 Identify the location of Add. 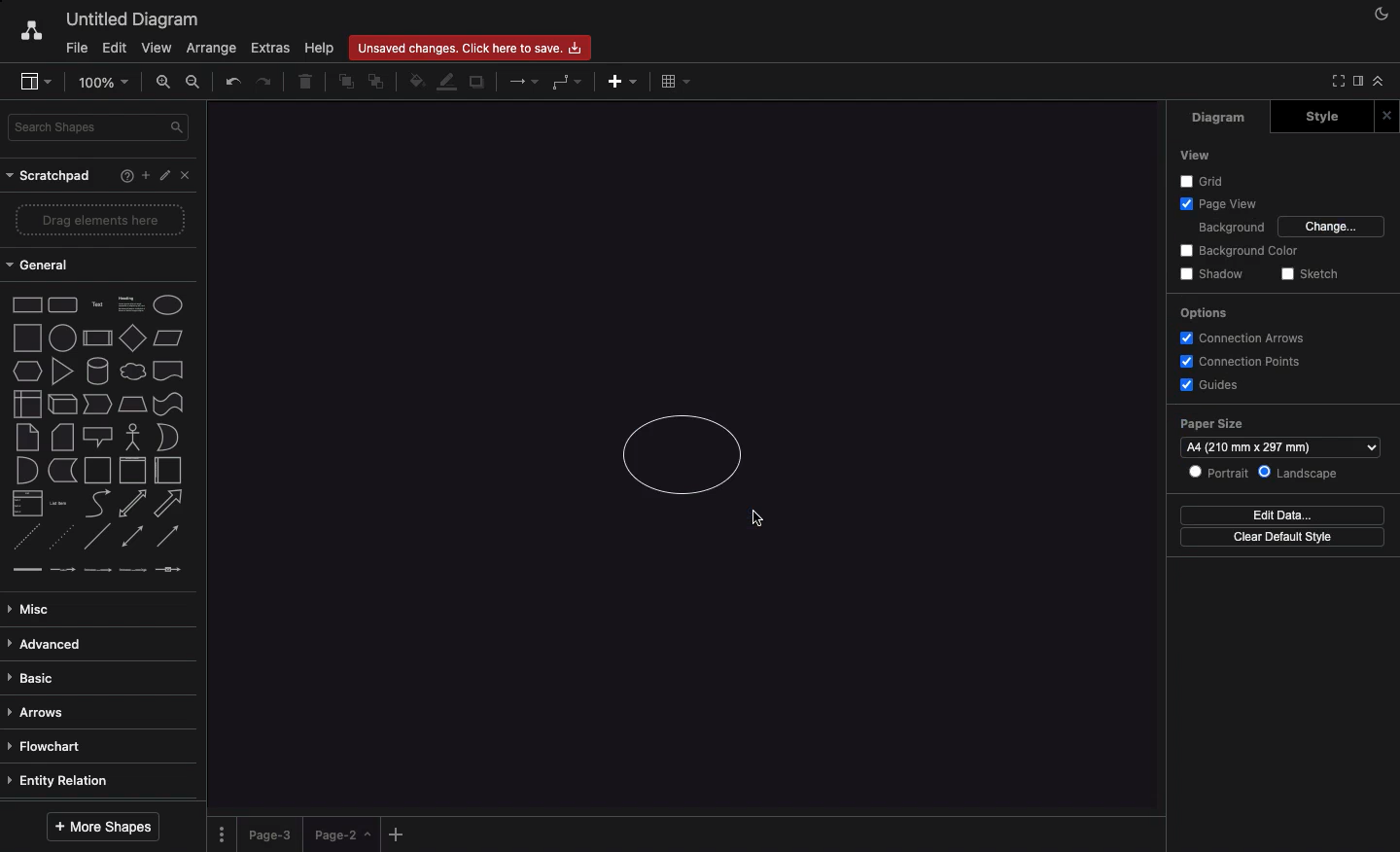
(145, 174).